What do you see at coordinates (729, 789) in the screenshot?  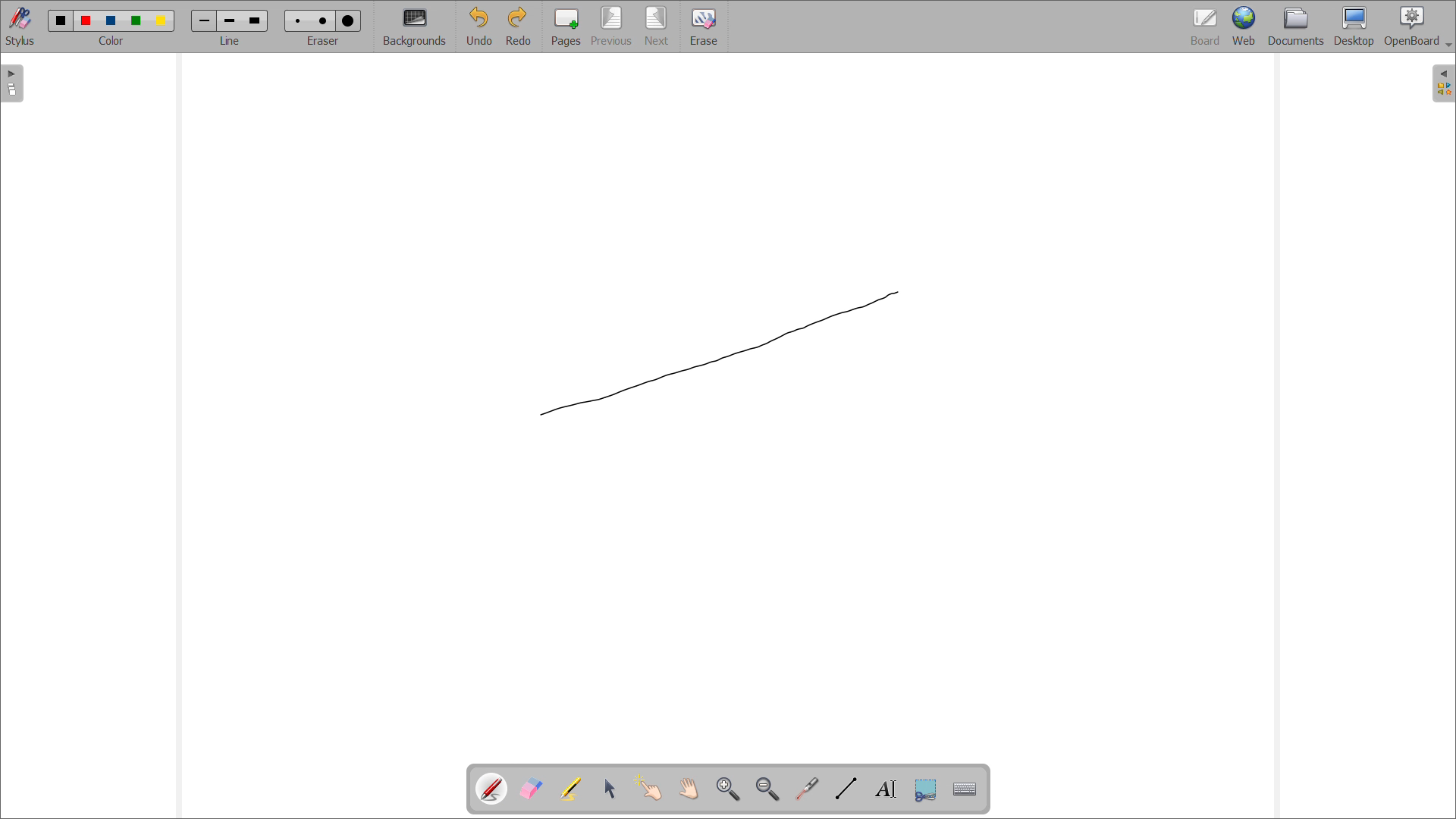 I see `zoom in` at bounding box center [729, 789].